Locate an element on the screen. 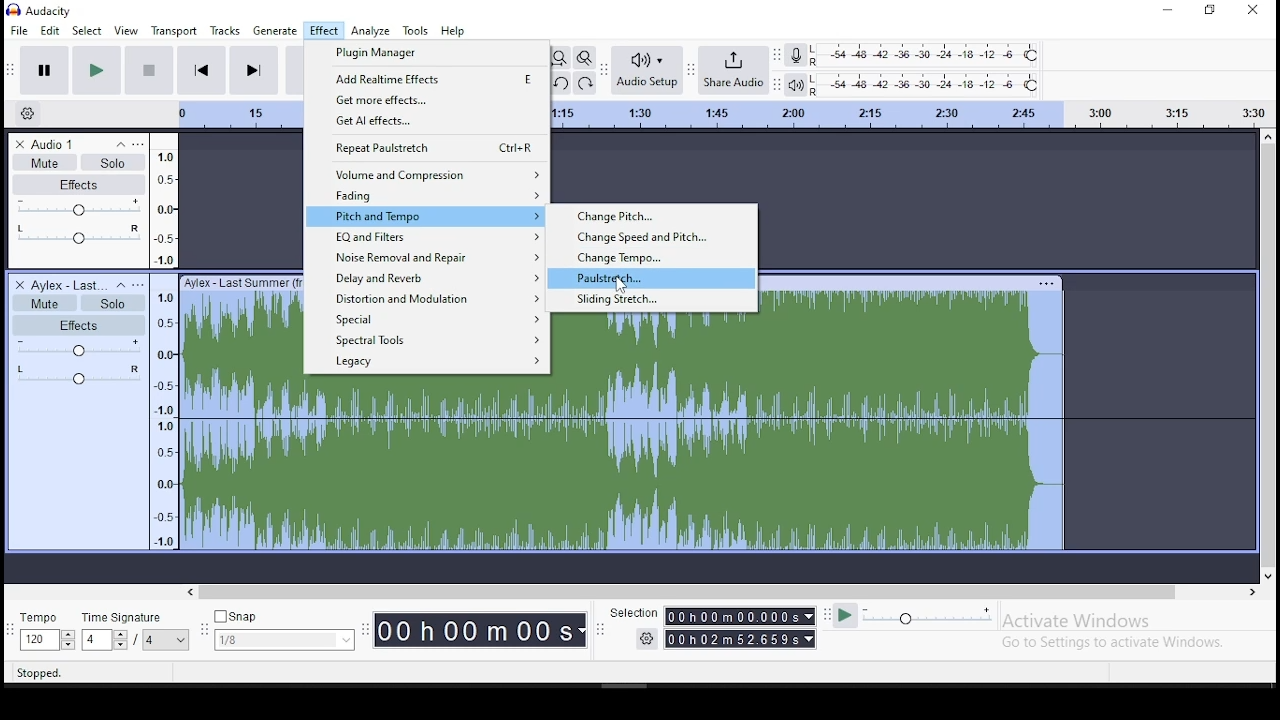  open menu is located at coordinates (143, 145).